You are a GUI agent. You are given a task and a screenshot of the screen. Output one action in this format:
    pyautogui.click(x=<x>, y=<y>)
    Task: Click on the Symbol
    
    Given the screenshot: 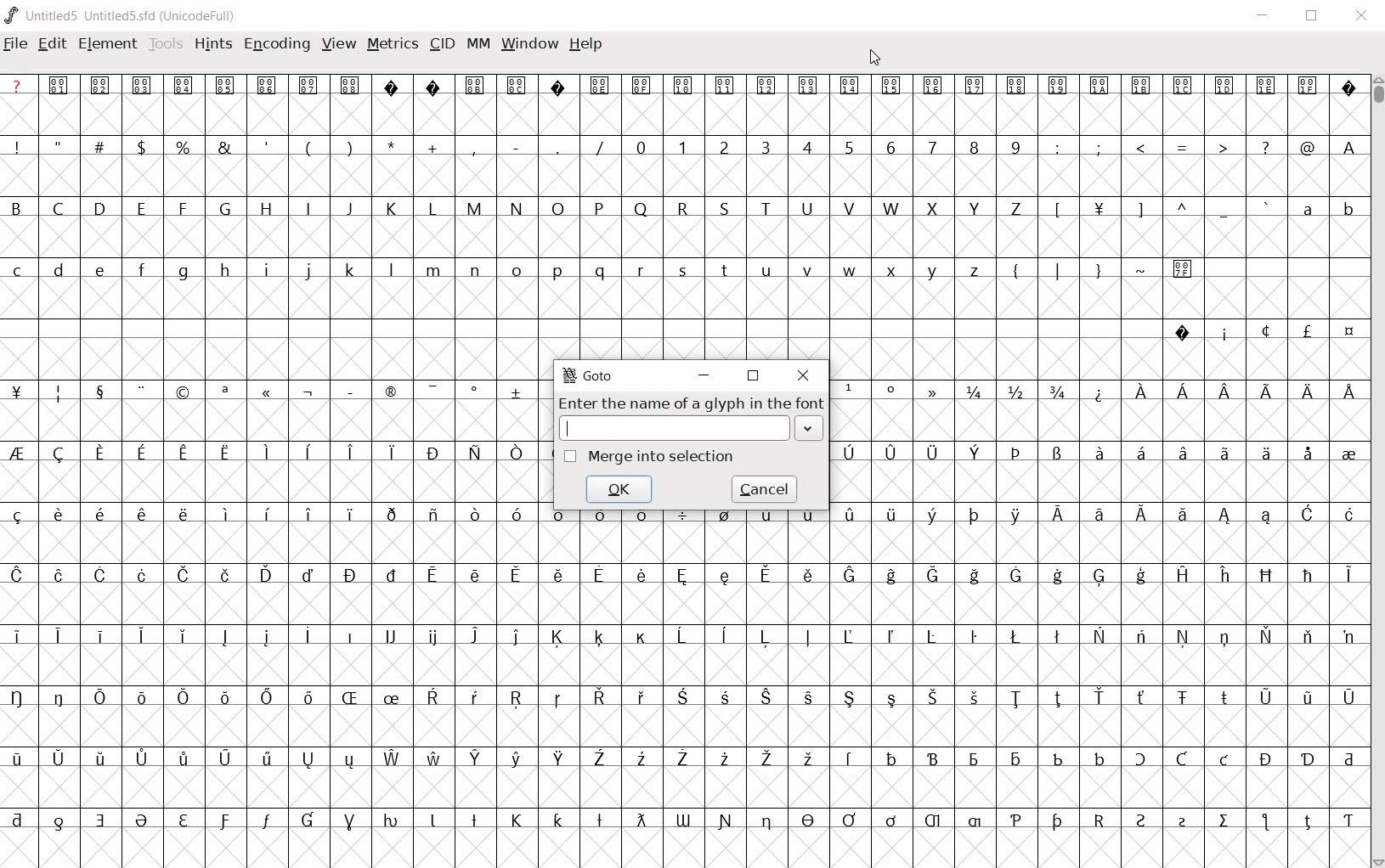 What is the action you would take?
    pyautogui.click(x=1184, y=637)
    